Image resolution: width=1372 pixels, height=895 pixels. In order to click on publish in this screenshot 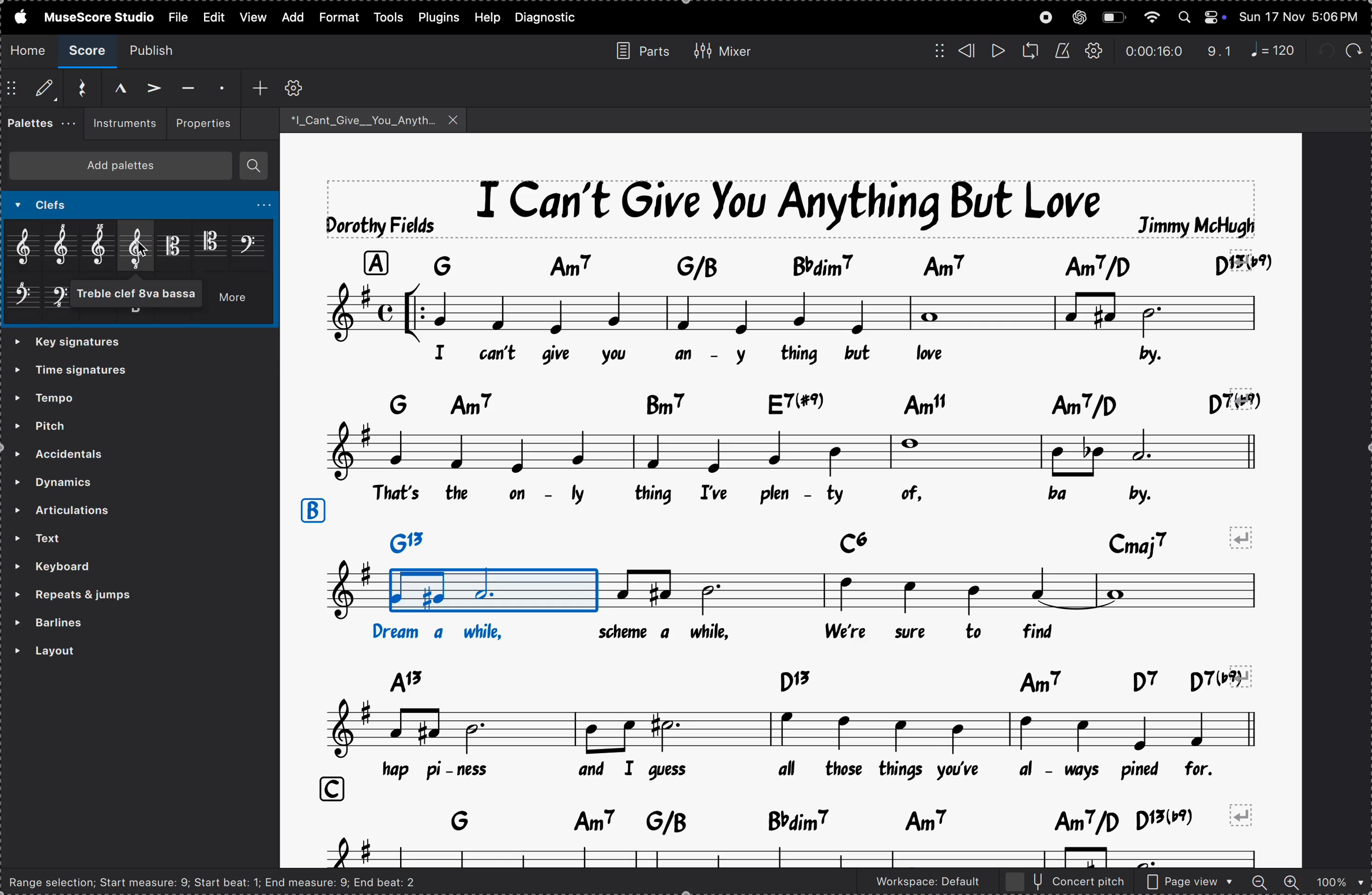, I will do `click(159, 50)`.